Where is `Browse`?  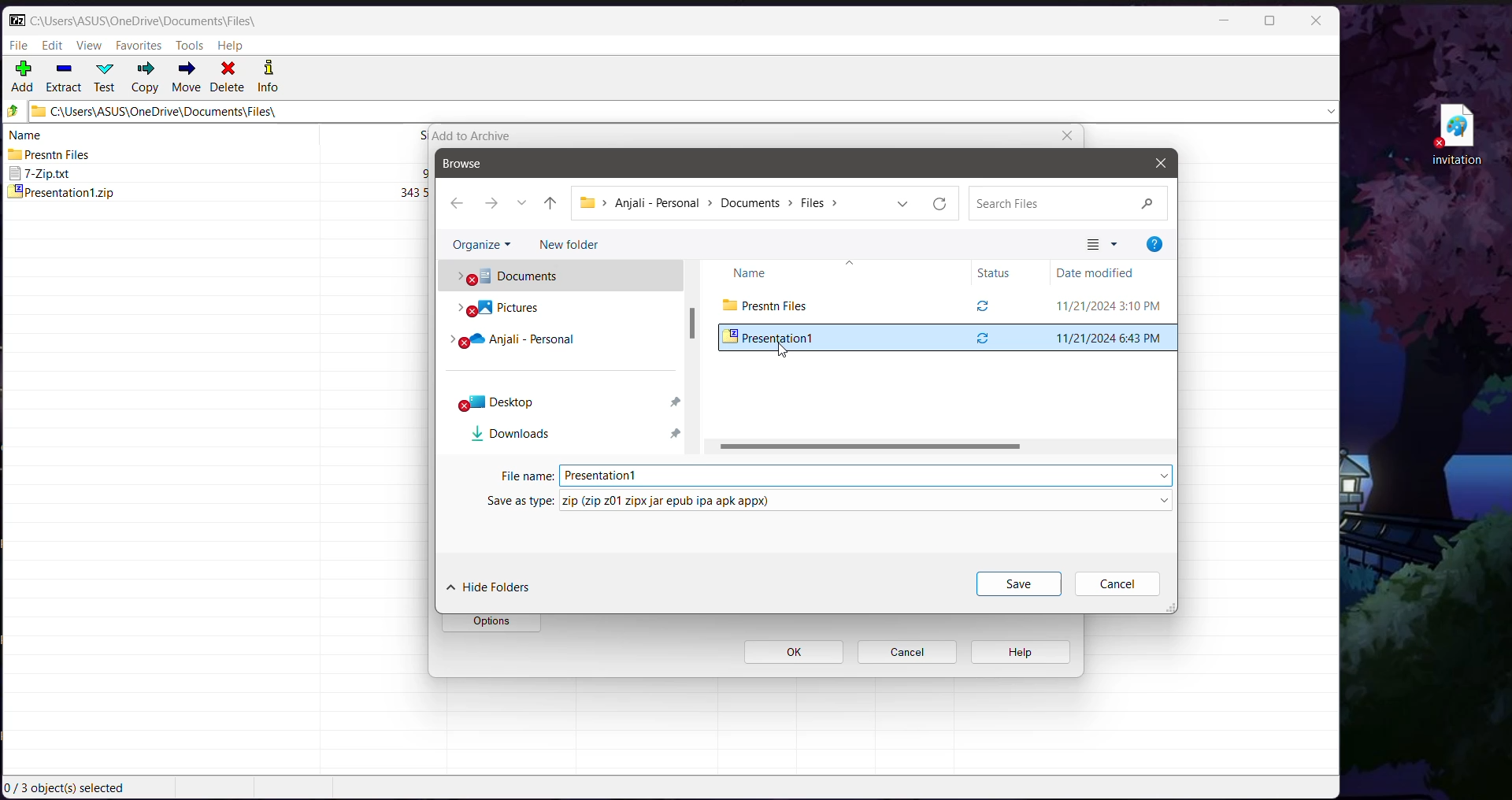 Browse is located at coordinates (469, 165).